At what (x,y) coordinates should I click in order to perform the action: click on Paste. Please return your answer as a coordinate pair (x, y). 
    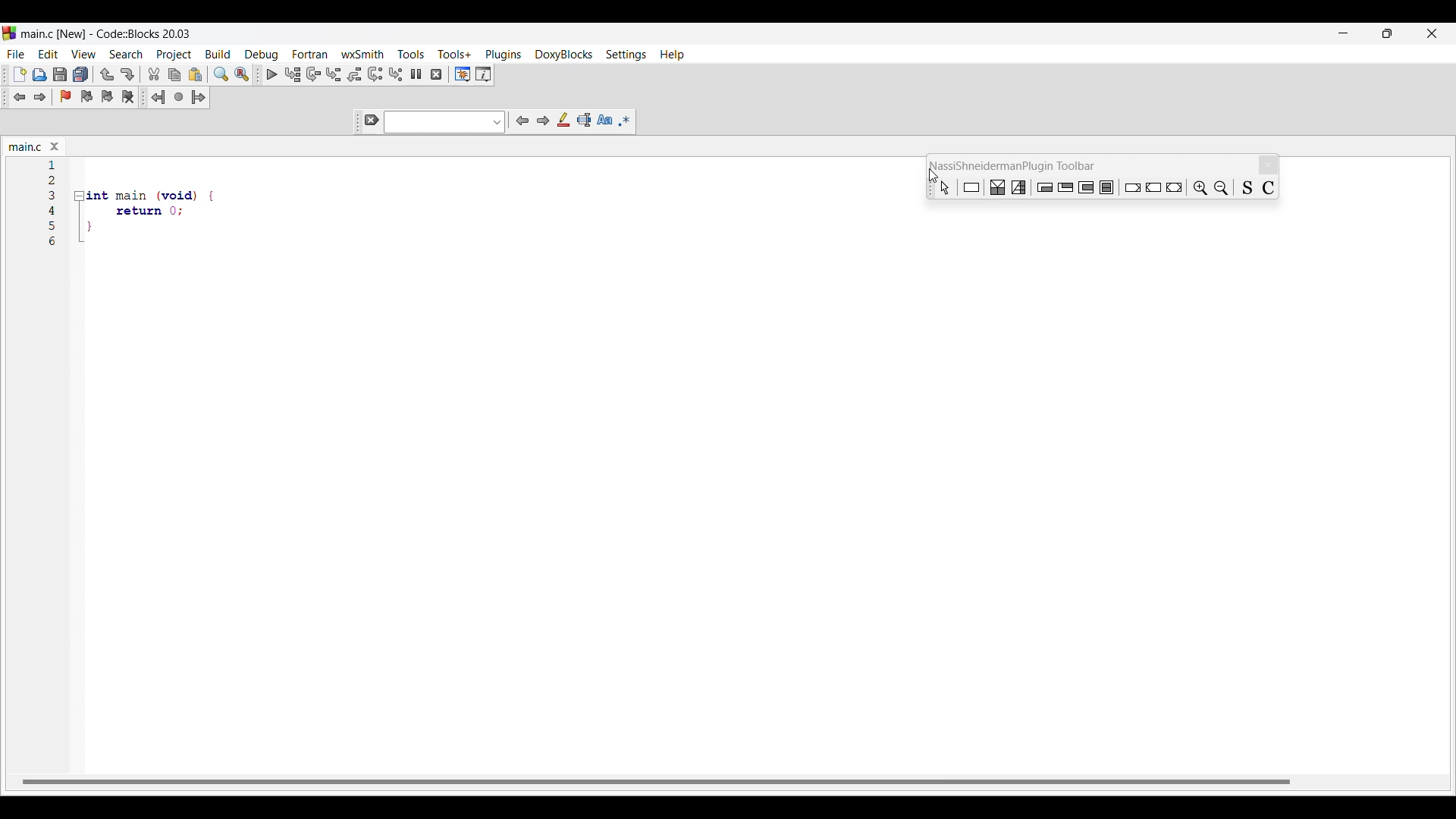
    Looking at the image, I should click on (196, 74).